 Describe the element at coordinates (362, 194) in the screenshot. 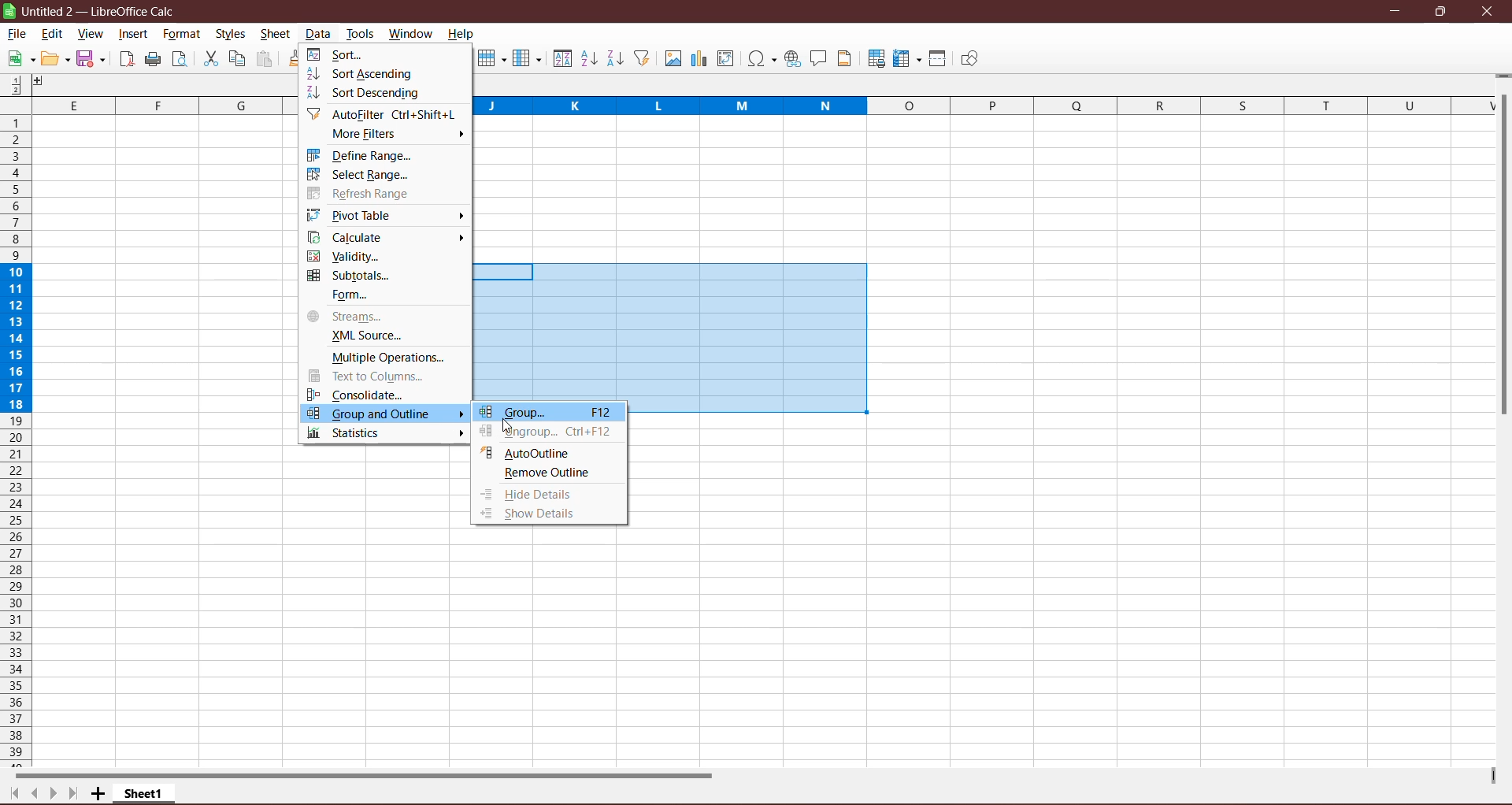

I see `Refresh Range` at that location.